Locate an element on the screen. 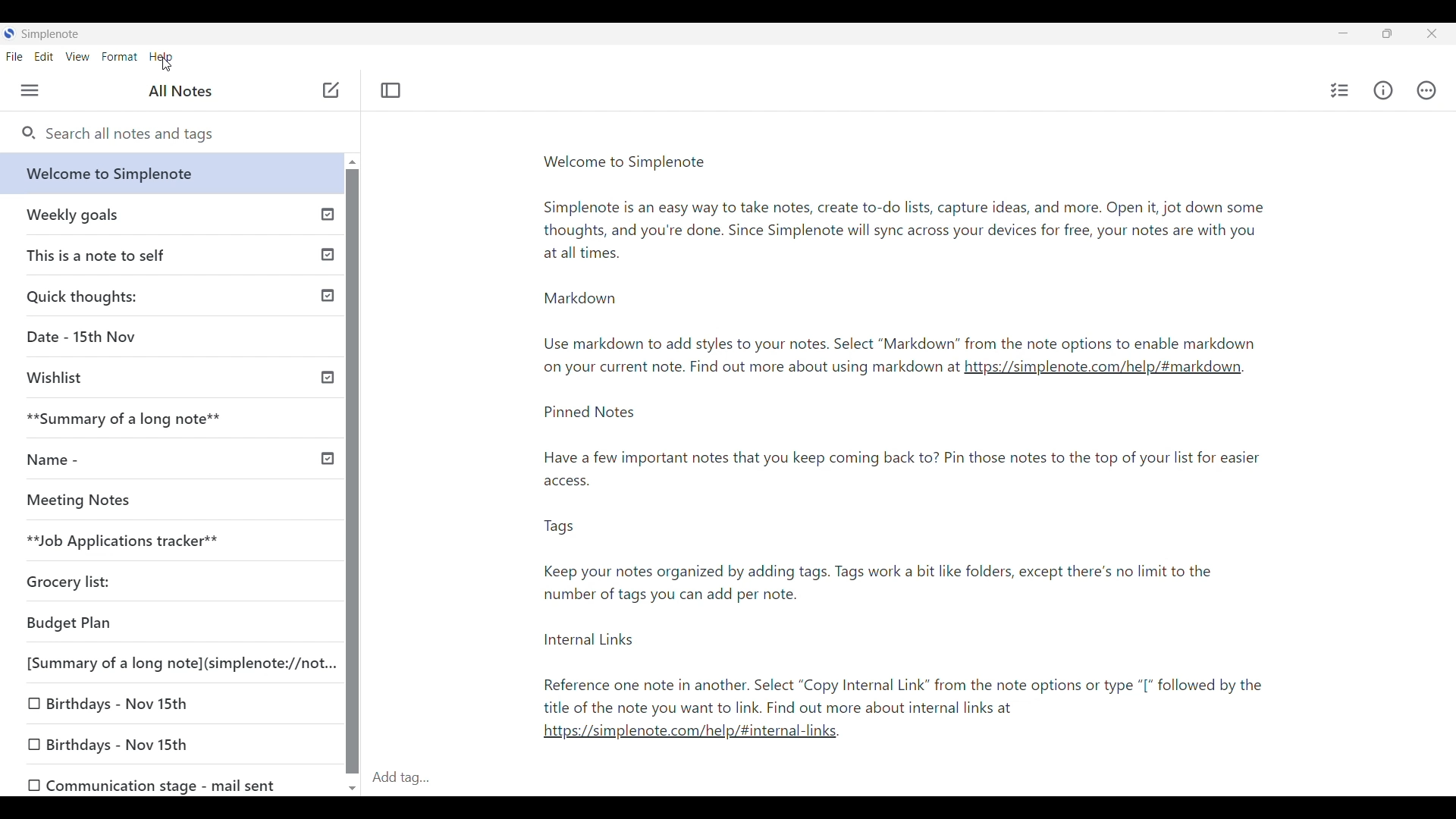  0 Communication stage - mail sent is located at coordinates (168, 784).